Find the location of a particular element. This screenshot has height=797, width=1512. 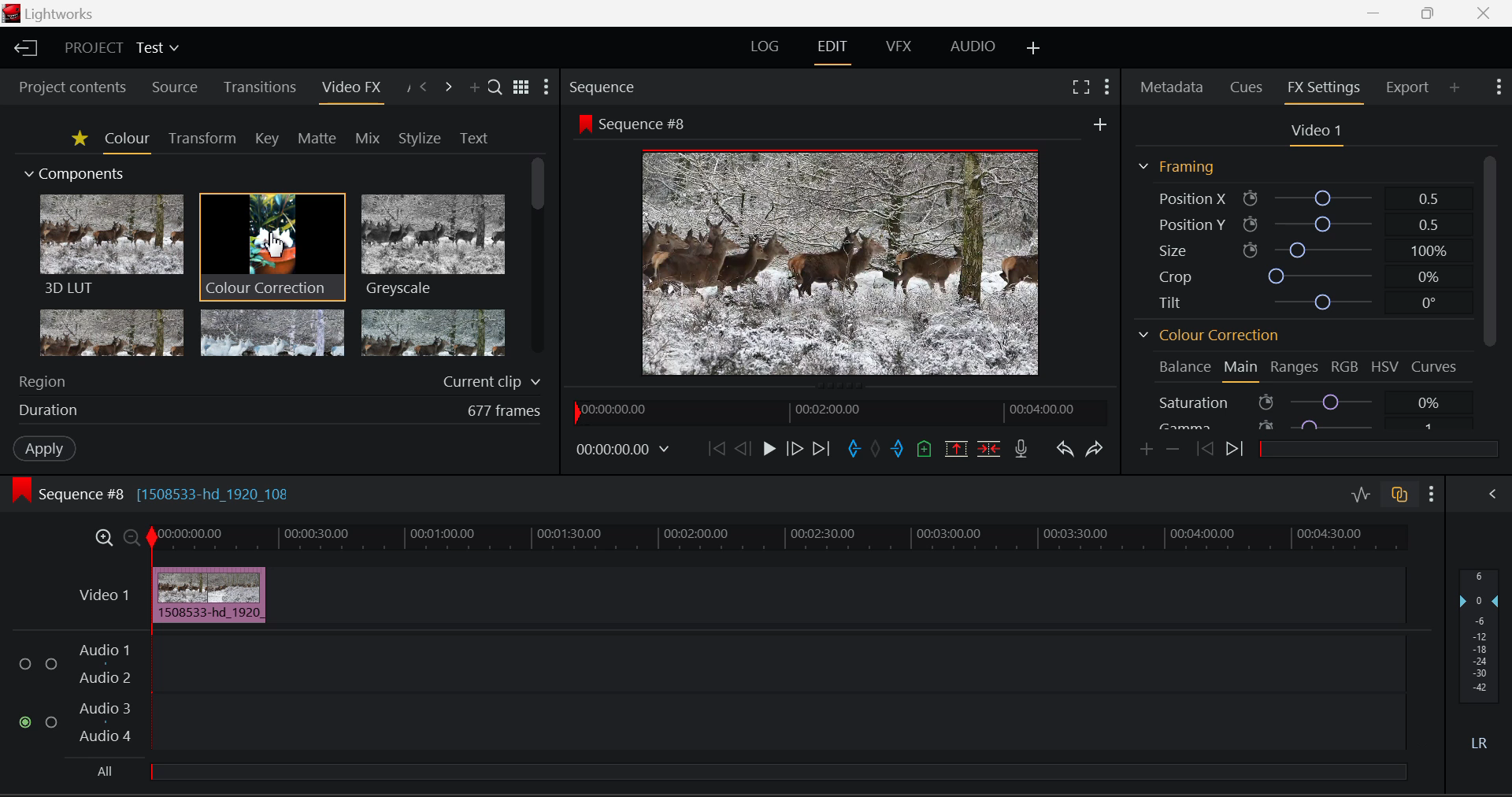

Cues is located at coordinates (1246, 87).